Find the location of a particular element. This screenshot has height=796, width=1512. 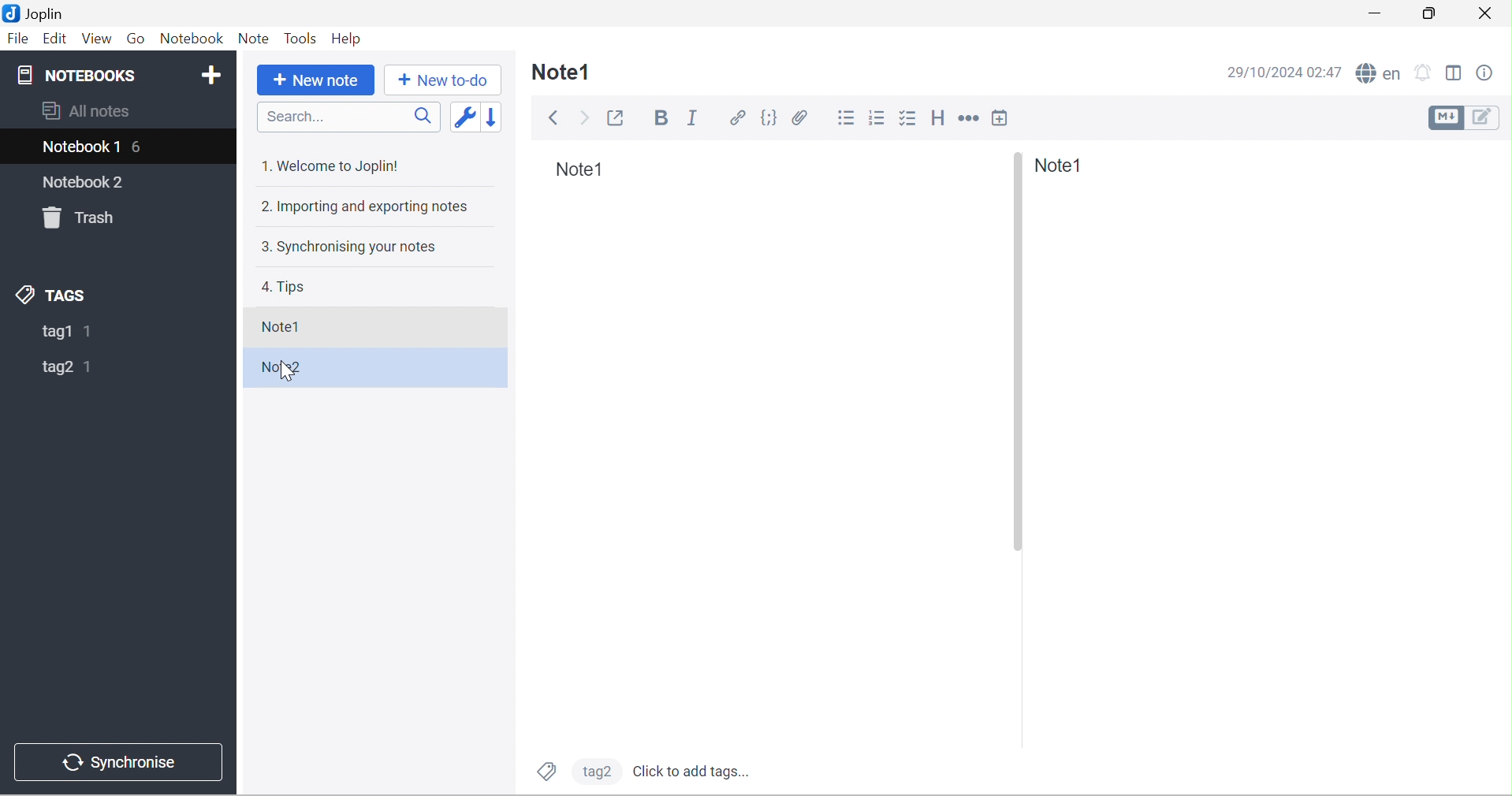

Forward is located at coordinates (587, 118).